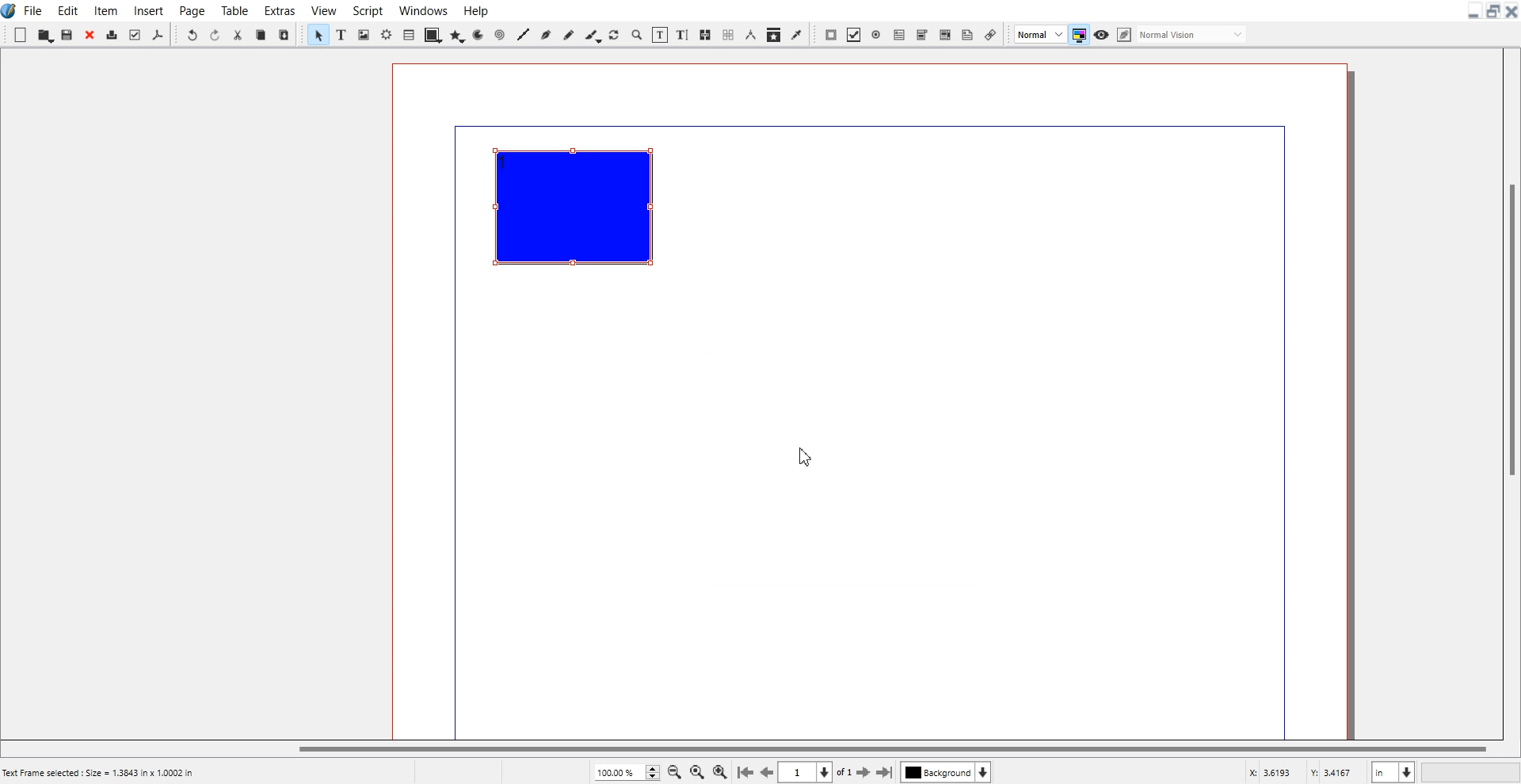 The height and width of the screenshot is (784, 1521). I want to click on Link Annotation, so click(990, 33).